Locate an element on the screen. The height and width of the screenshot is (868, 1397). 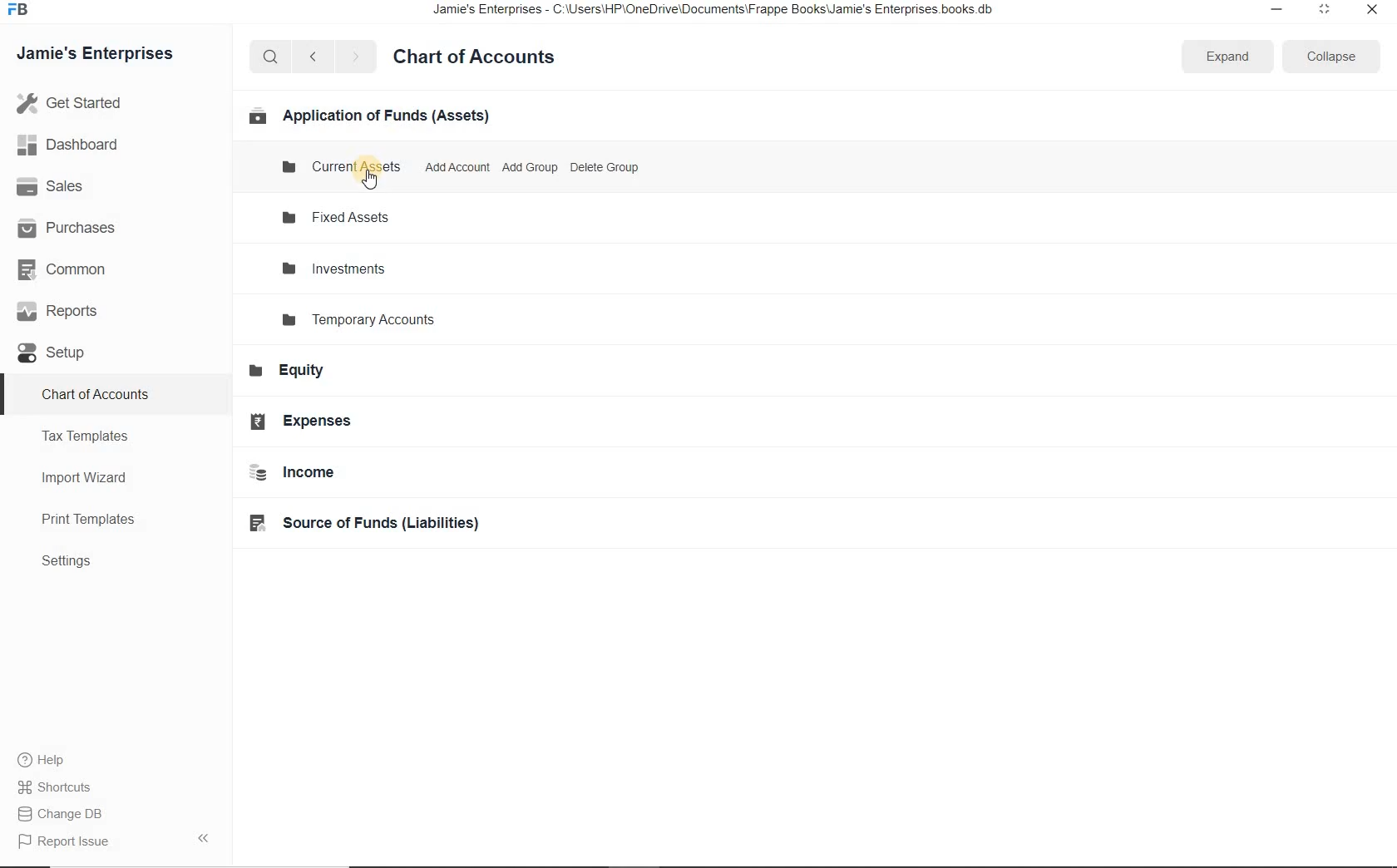
Help is located at coordinates (50, 762).